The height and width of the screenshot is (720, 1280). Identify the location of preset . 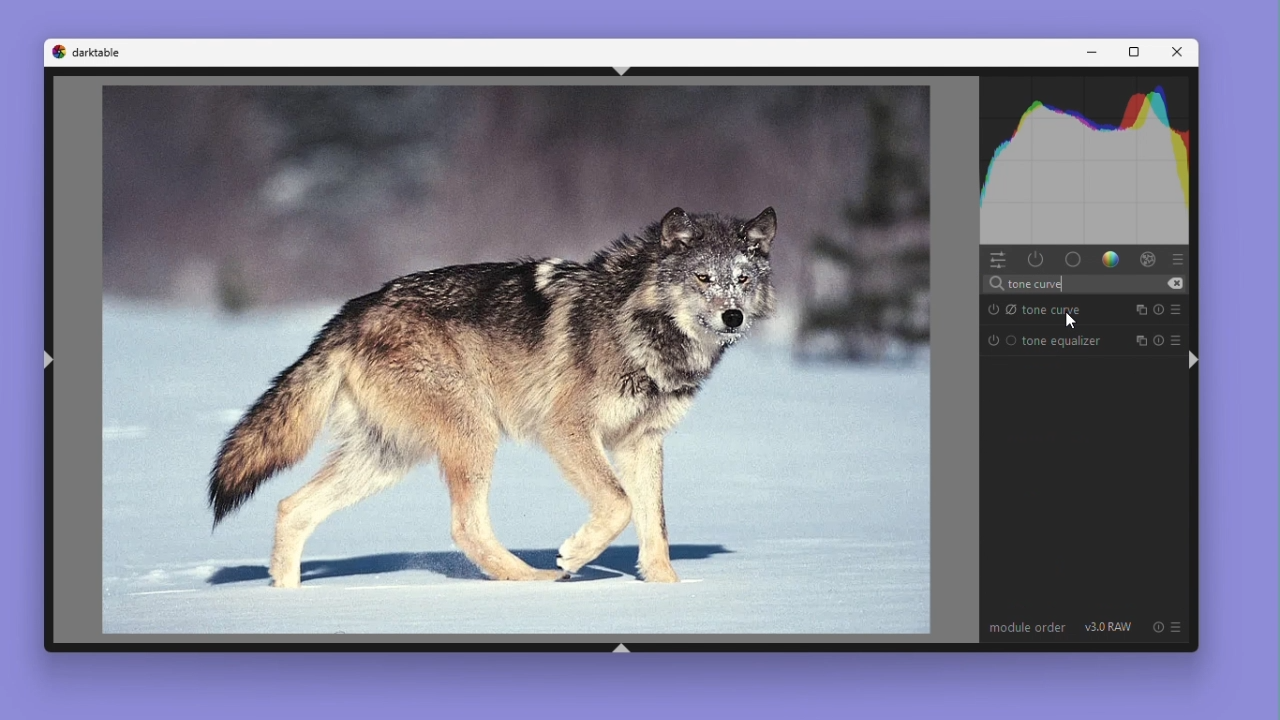
(1177, 334).